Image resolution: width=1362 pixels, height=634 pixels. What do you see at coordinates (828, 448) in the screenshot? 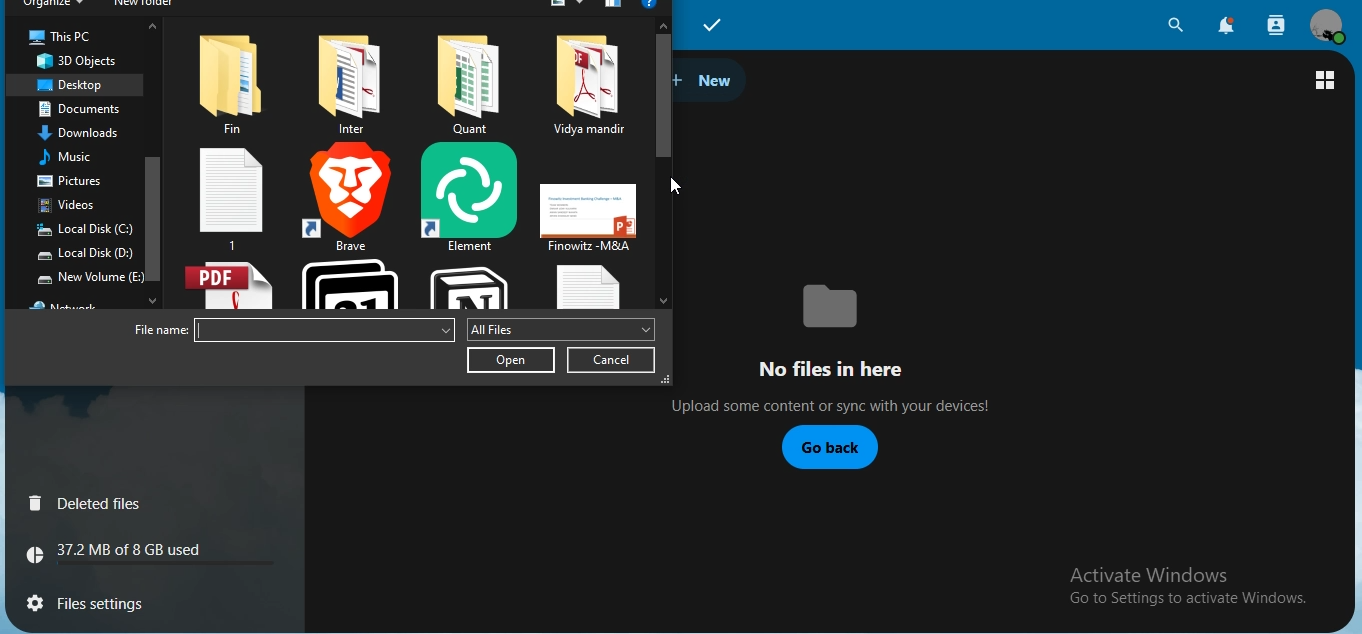
I see `go back` at bounding box center [828, 448].